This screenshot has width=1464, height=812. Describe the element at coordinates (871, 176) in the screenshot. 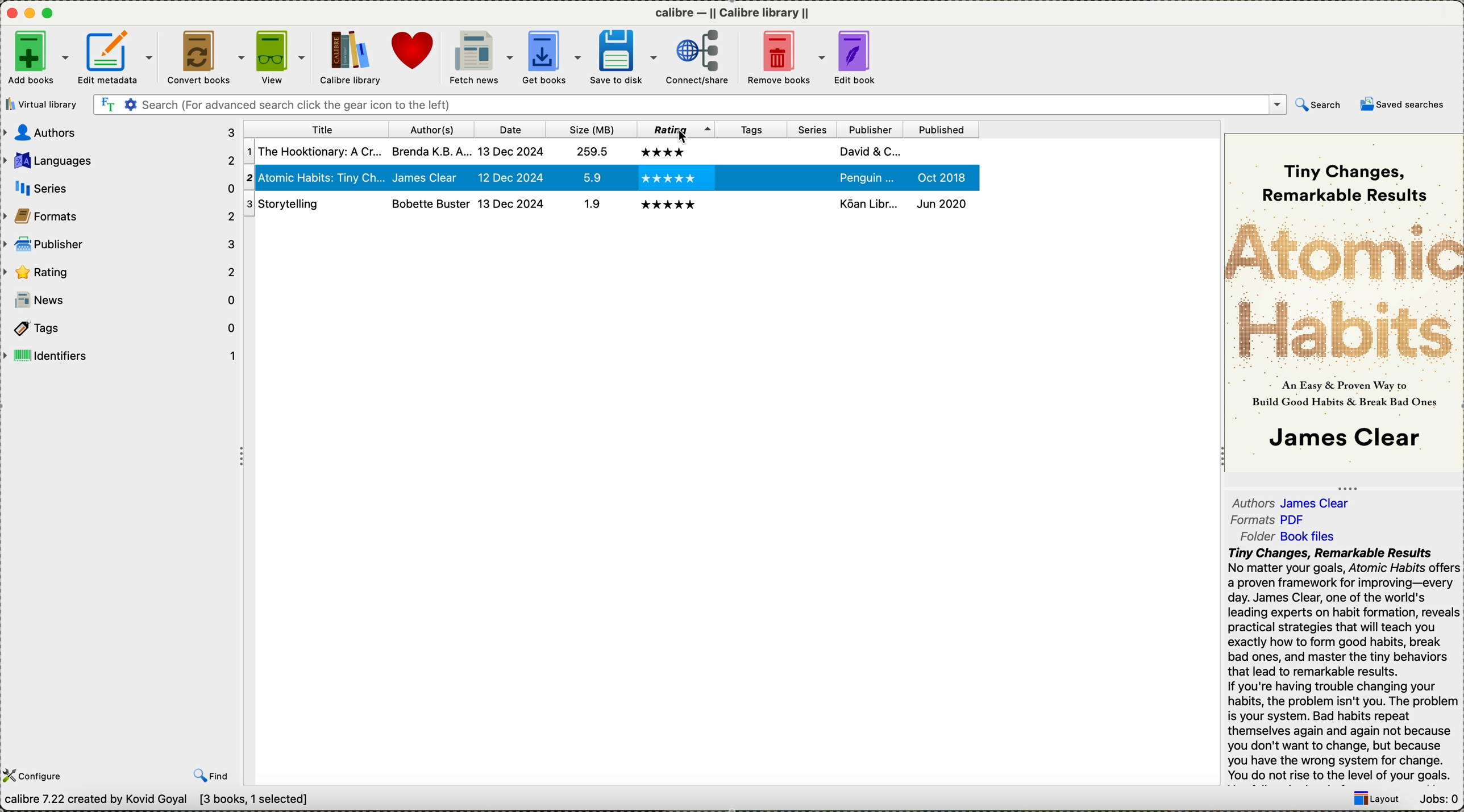

I see `david & c...` at that location.